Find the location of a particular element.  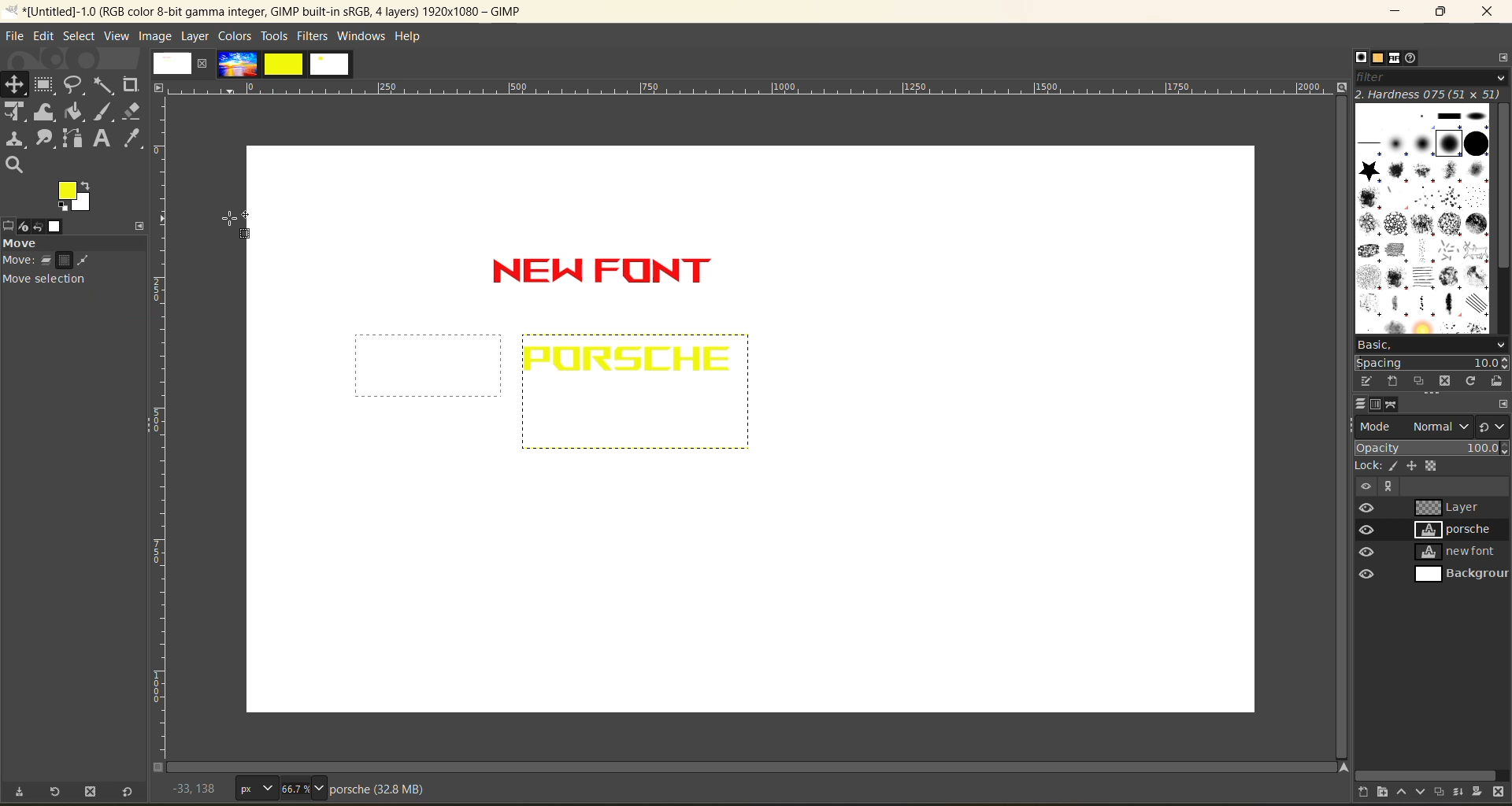

image is located at coordinates (155, 37).